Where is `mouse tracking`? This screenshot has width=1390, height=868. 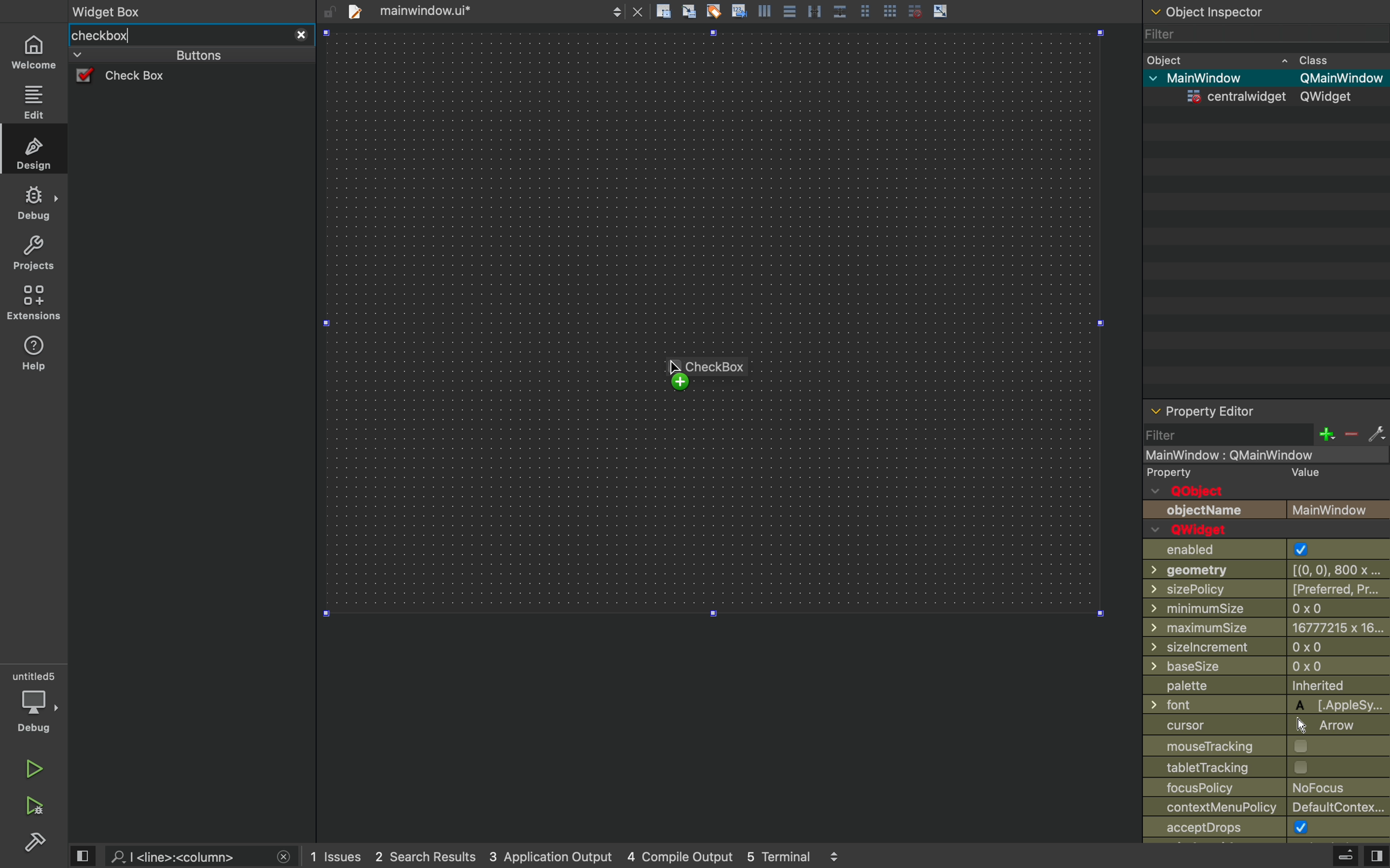 mouse tracking is located at coordinates (1265, 745).